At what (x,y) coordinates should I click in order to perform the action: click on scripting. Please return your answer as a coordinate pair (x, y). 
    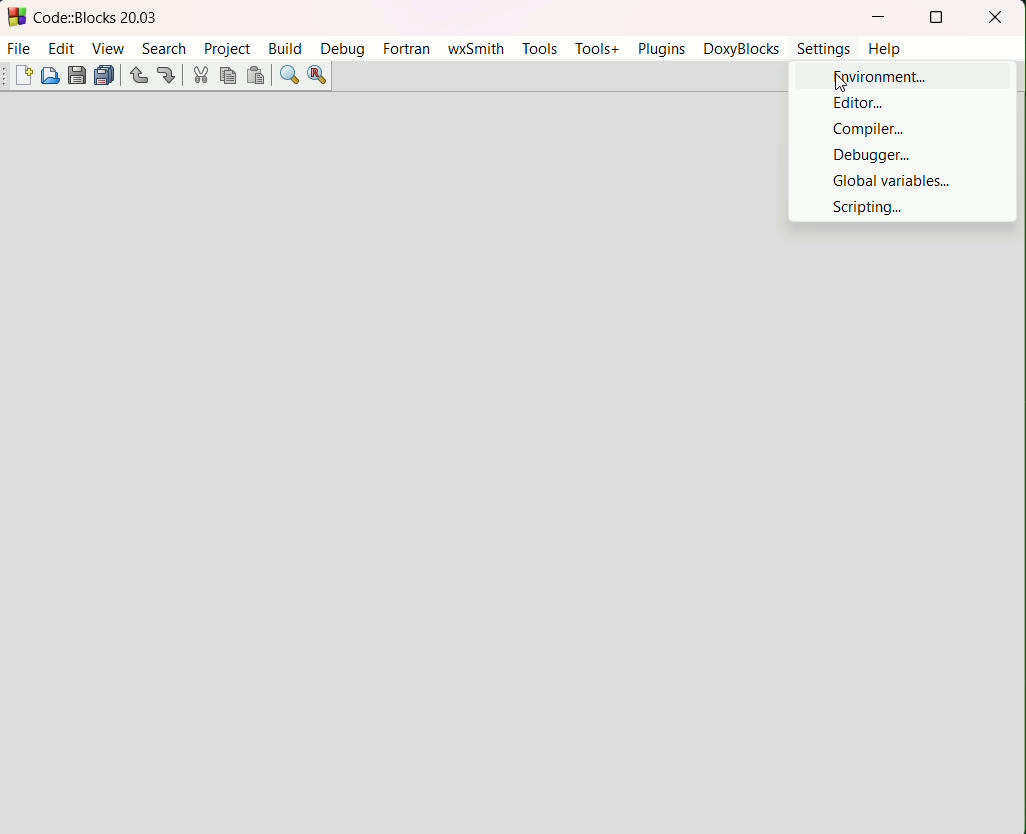
    Looking at the image, I should click on (867, 209).